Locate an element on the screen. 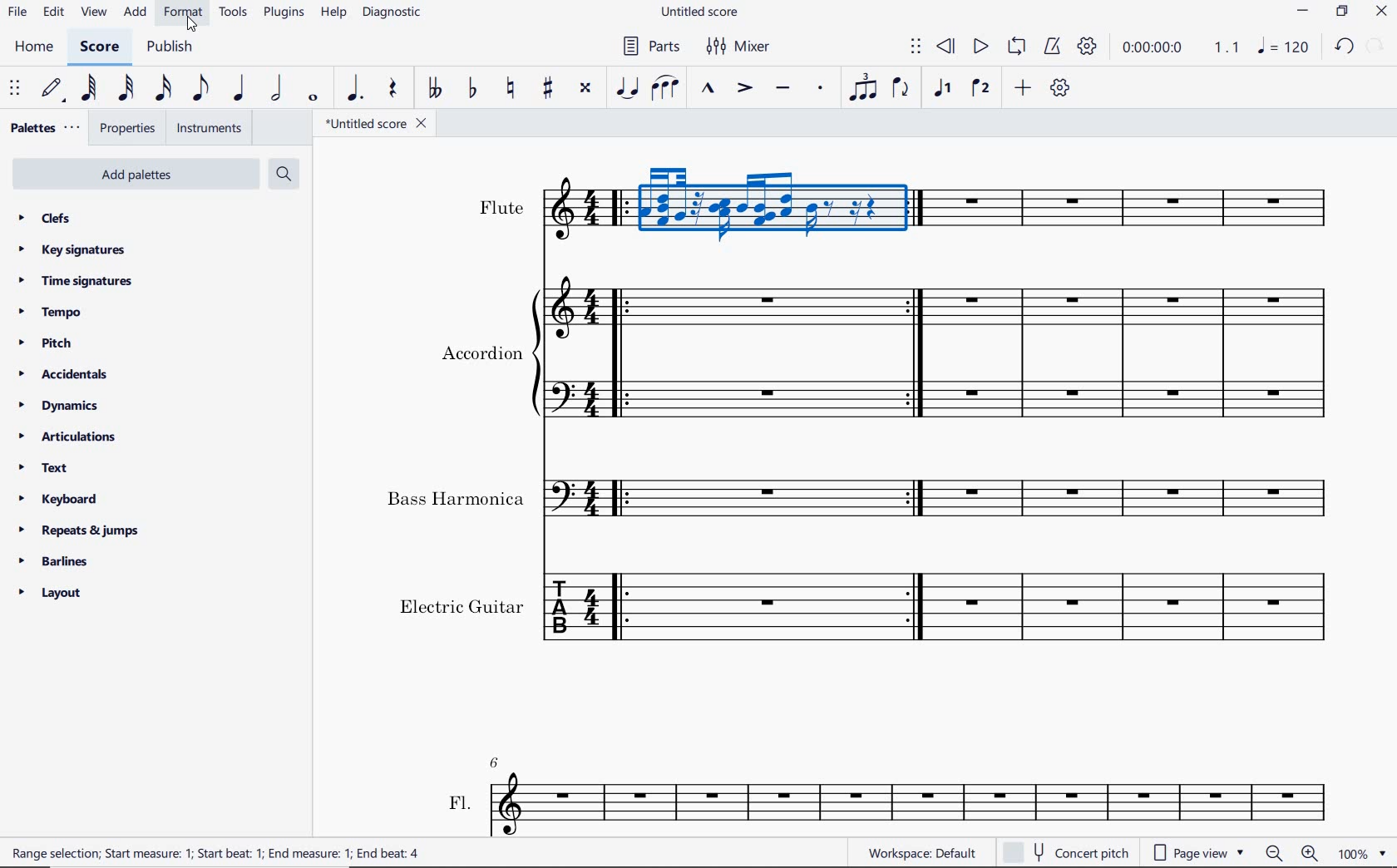 Image resolution: width=1397 pixels, height=868 pixels. default (step time) is located at coordinates (53, 91).